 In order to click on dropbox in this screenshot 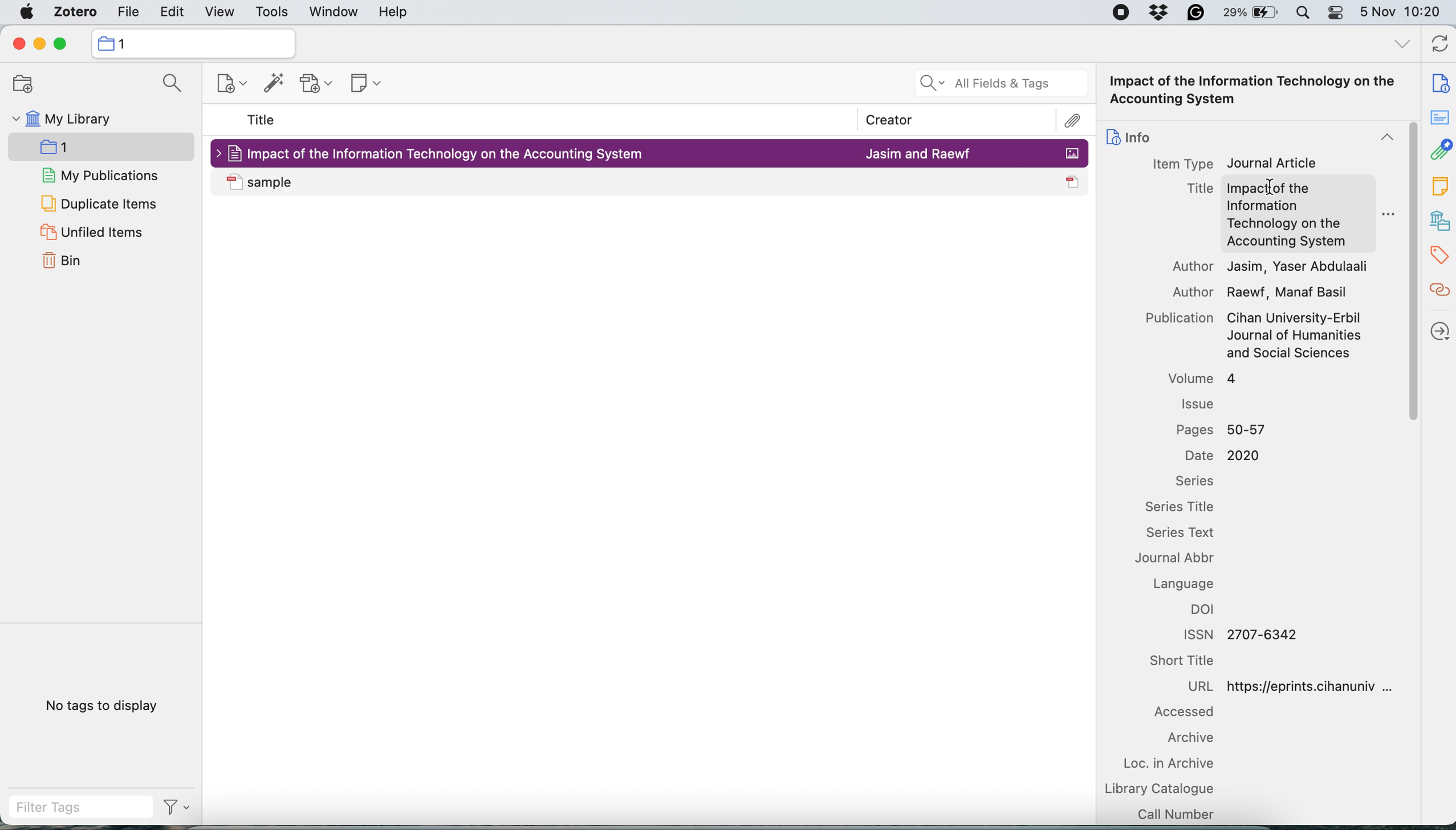, I will do `click(1160, 13)`.